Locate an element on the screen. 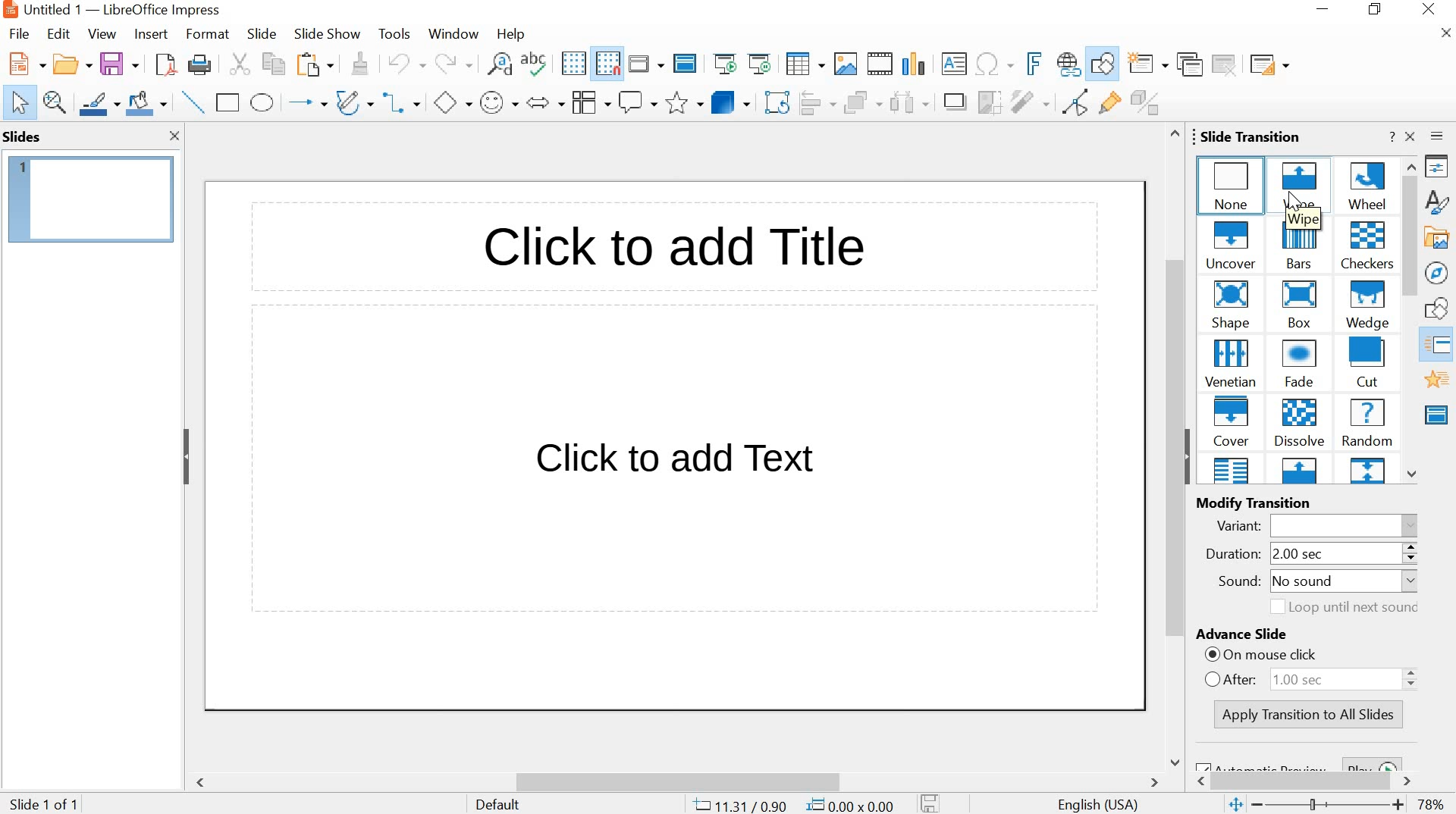  FADE is located at coordinates (1302, 365).